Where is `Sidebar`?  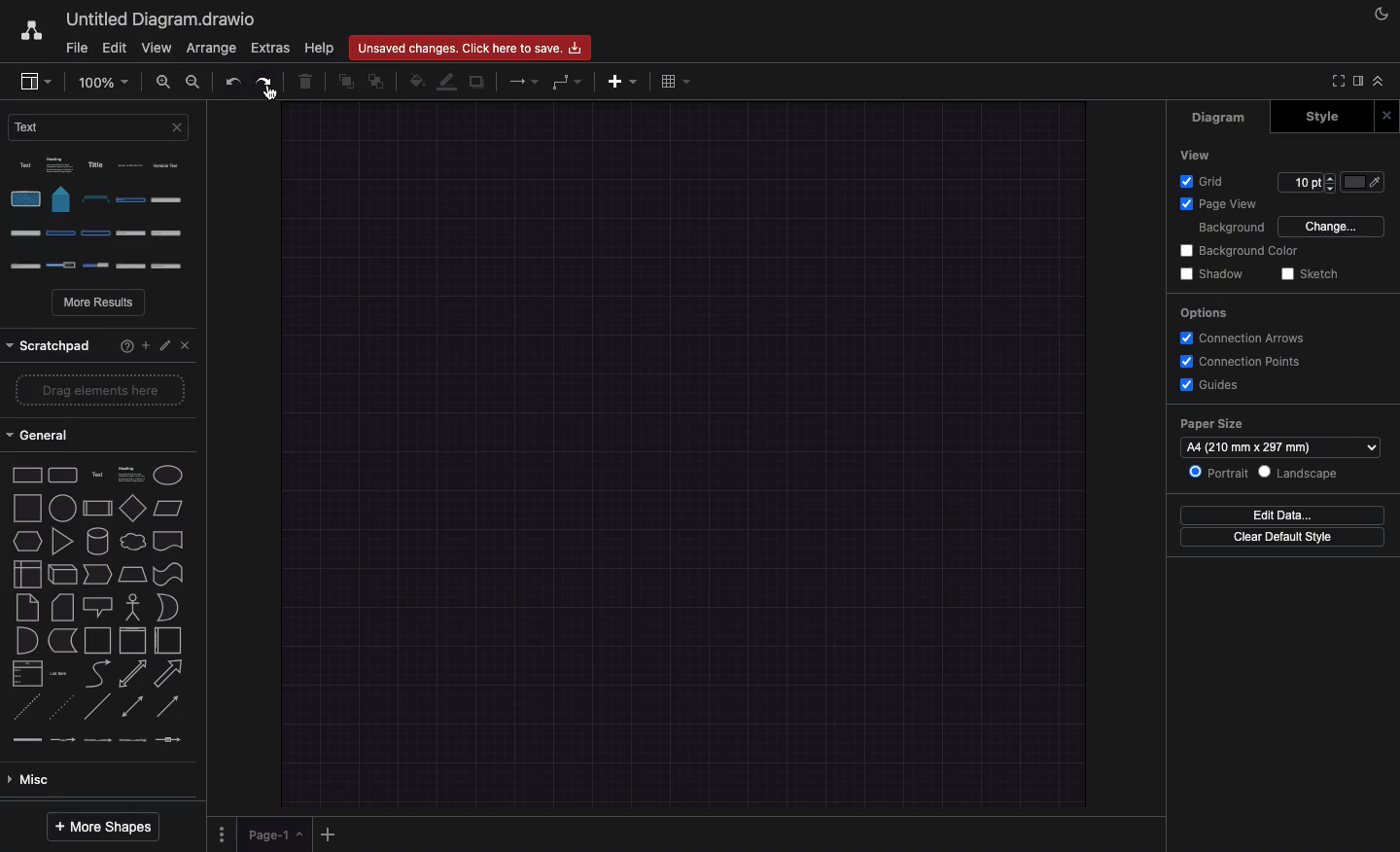 Sidebar is located at coordinates (1356, 82).